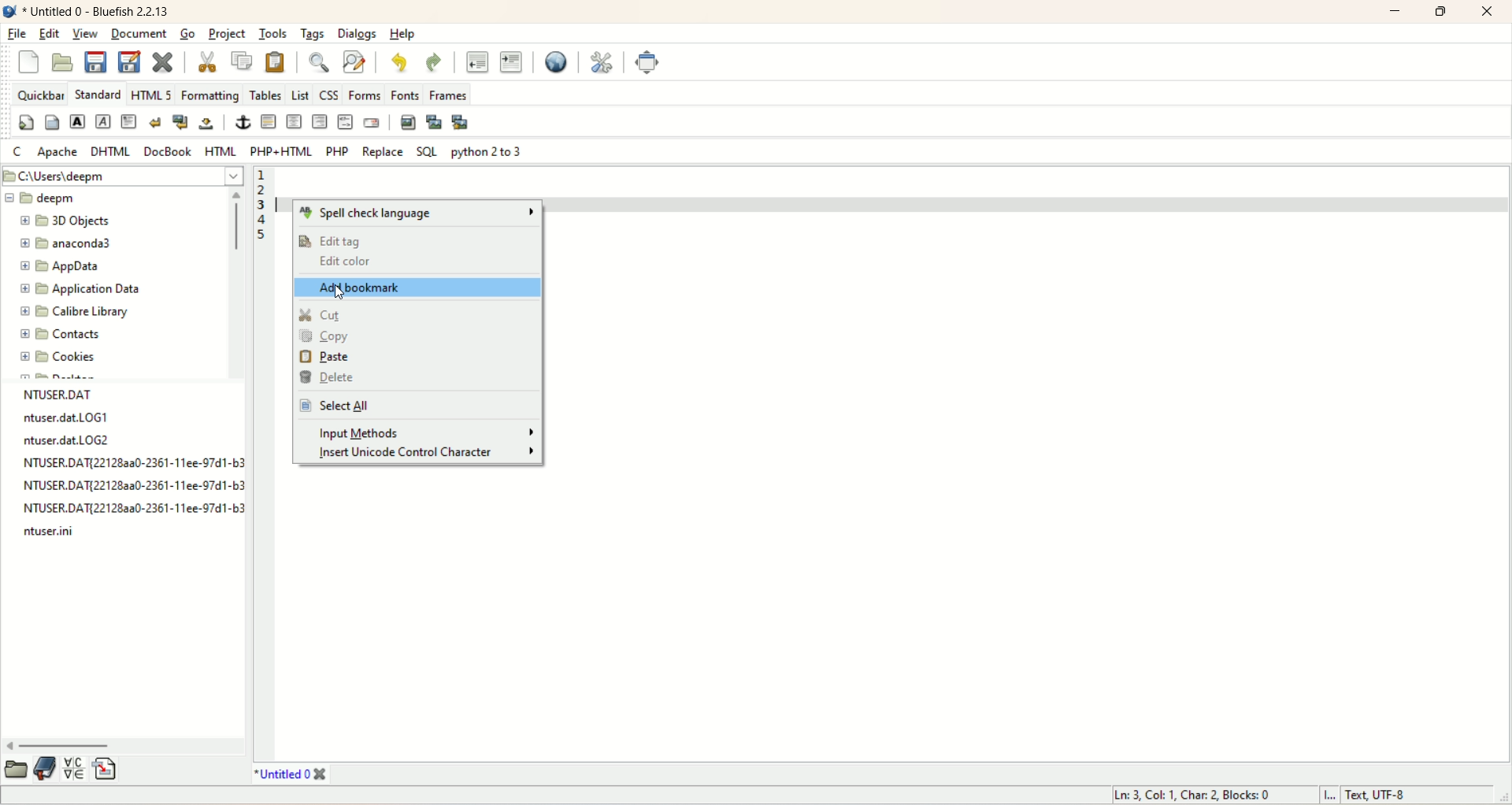 This screenshot has height=805, width=1512. What do you see at coordinates (17, 153) in the screenshot?
I see `C` at bounding box center [17, 153].